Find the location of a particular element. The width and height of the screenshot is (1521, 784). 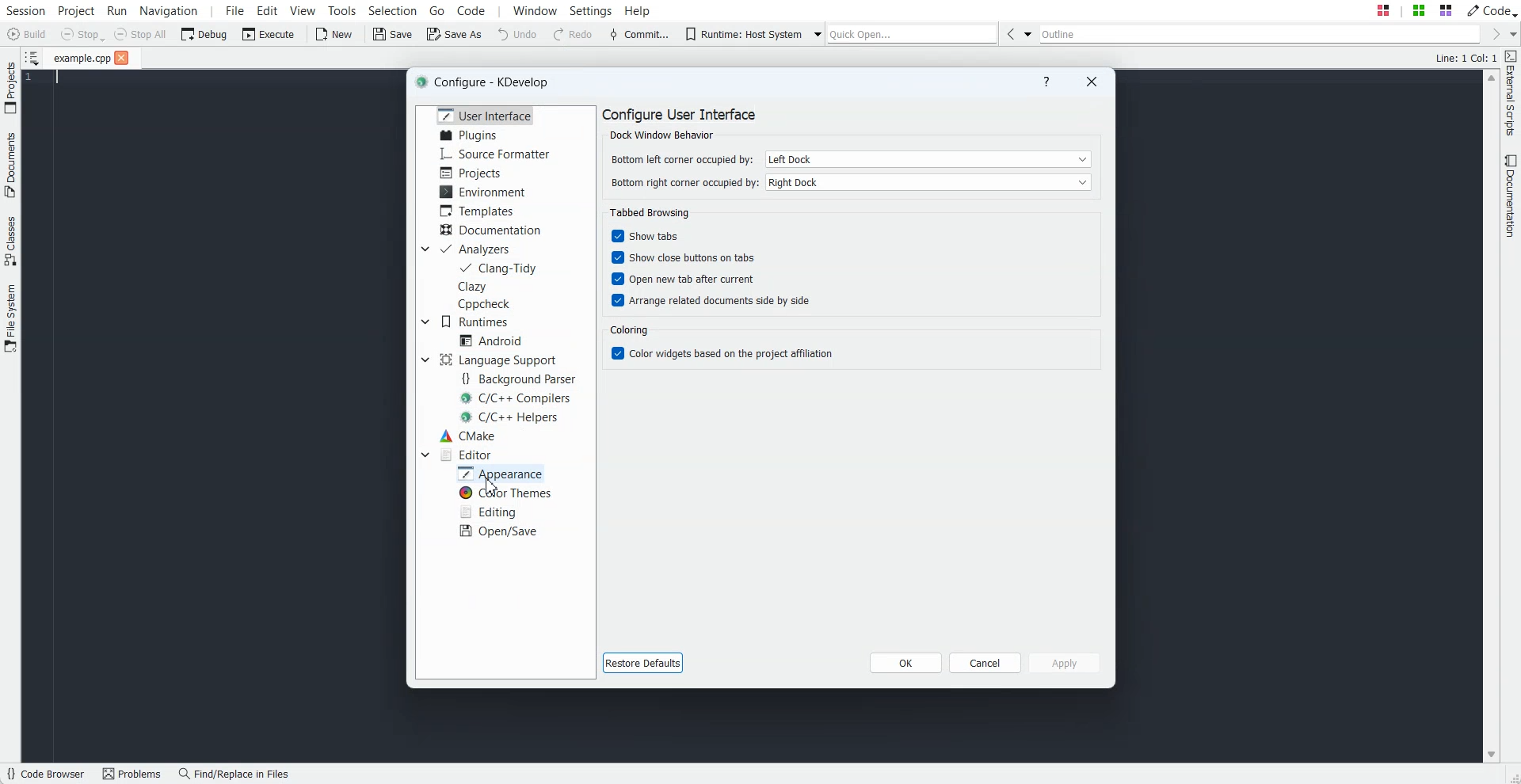

Color Themes is located at coordinates (503, 493).